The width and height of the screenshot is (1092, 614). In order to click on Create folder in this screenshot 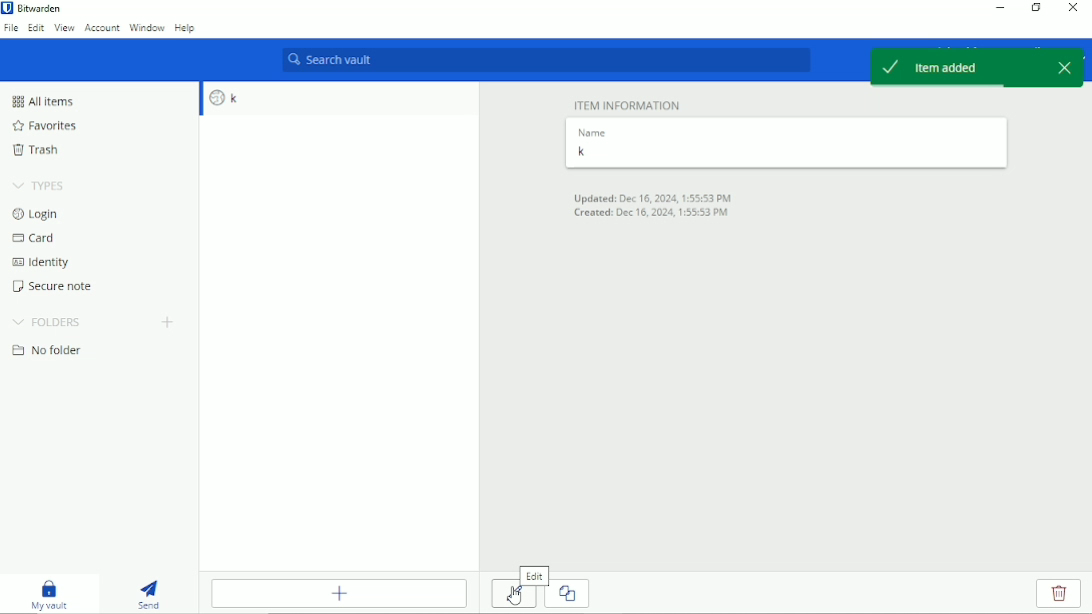, I will do `click(169, 323)`.